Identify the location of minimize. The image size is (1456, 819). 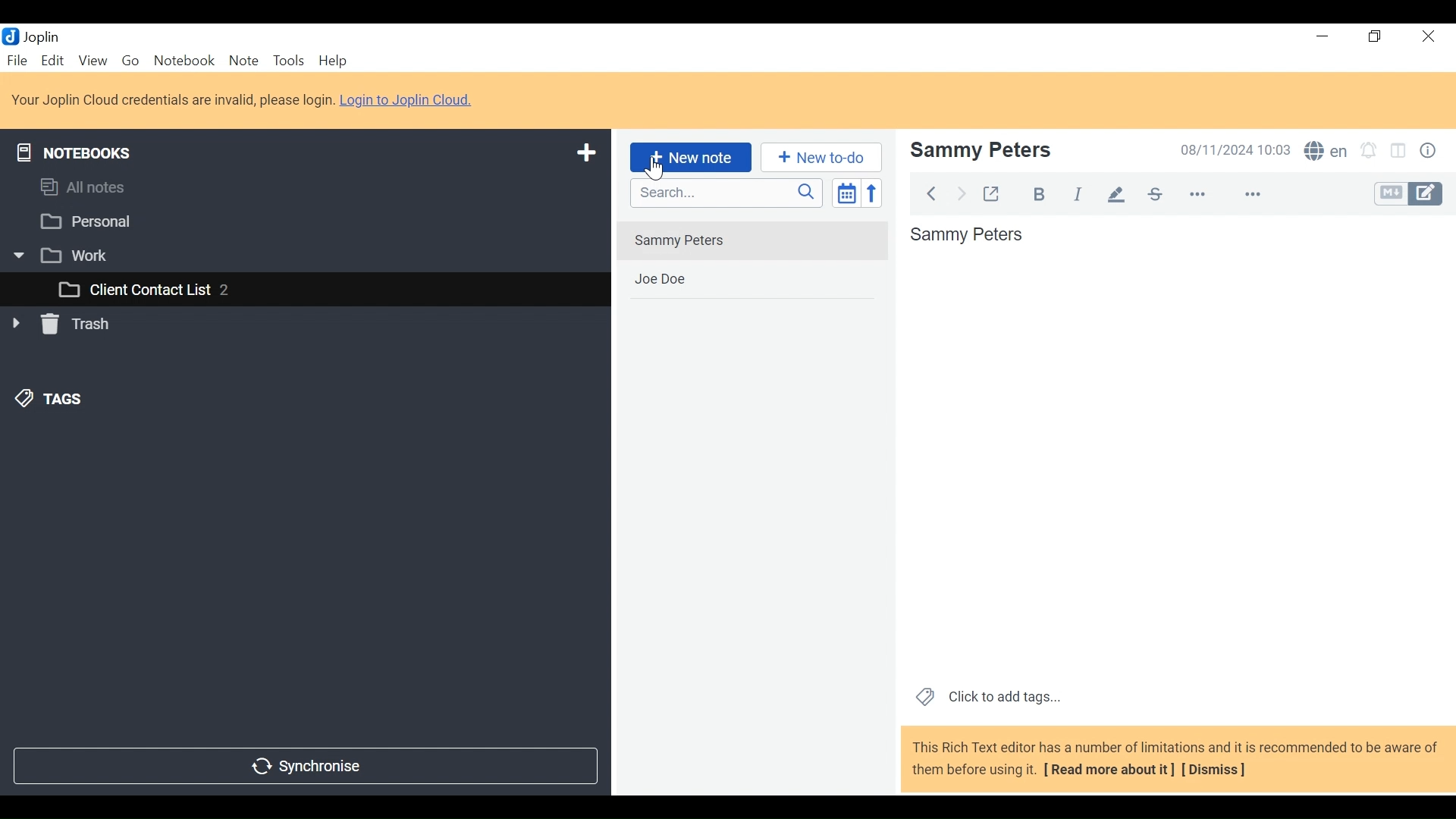
(1319, 36).